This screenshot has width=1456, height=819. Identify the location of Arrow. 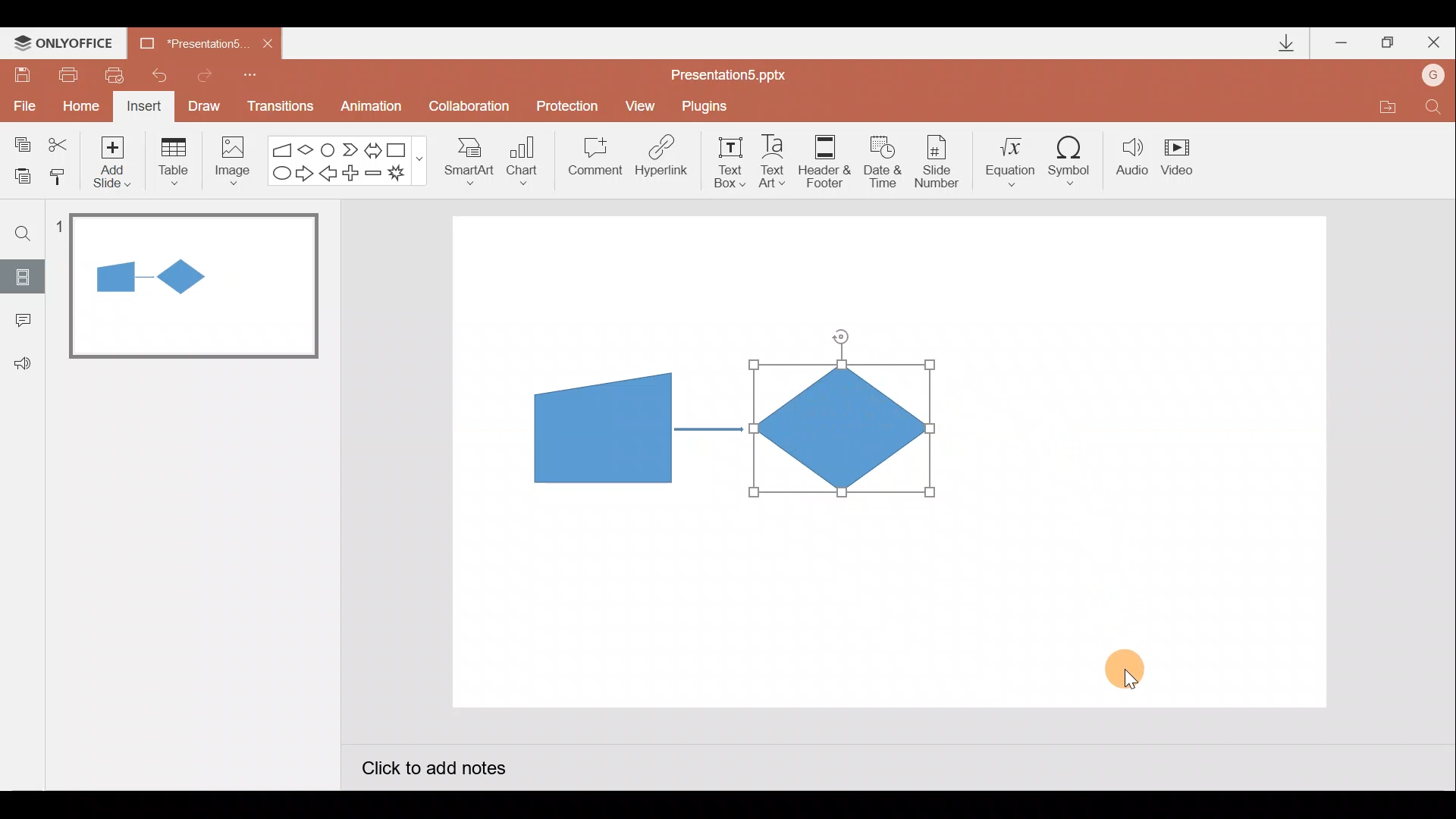
(709, 429).